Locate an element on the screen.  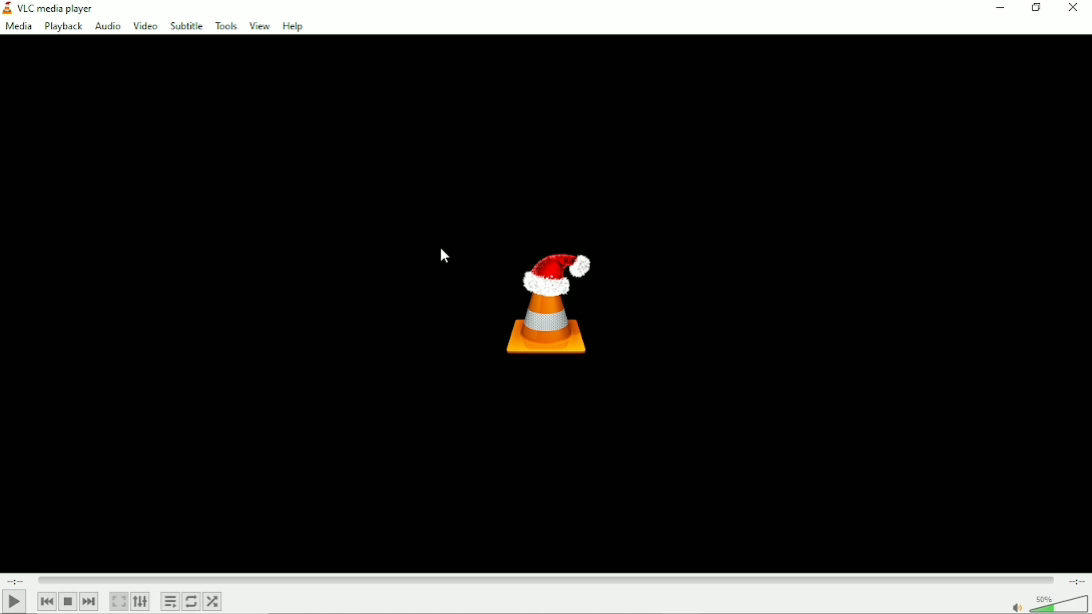
Close is located at coordinates (1074, 9).